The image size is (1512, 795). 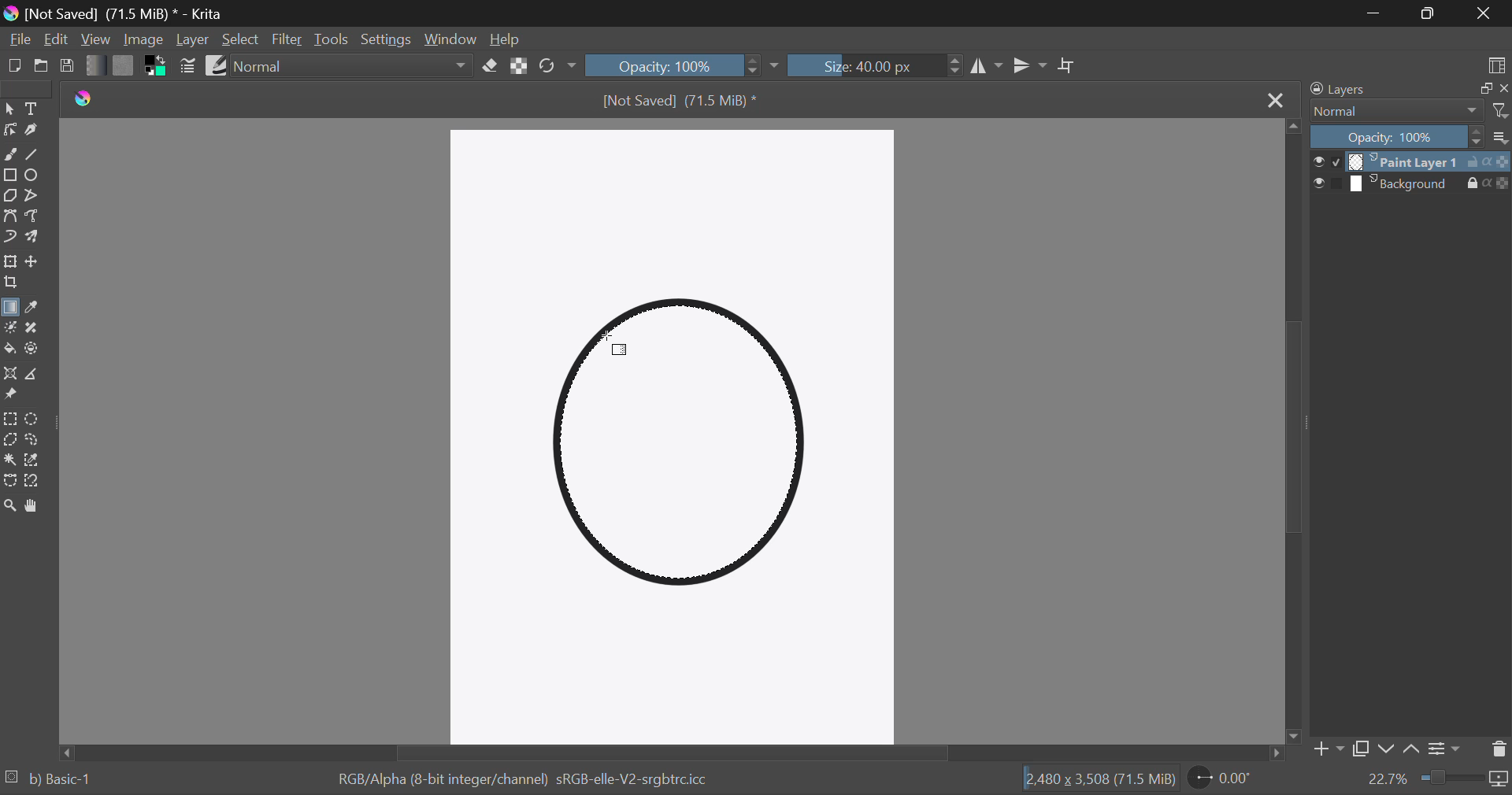 What do you see at coordinates (1291, 434) in the screenshot?
I see `Scroll Bar` at bounding box center [1291, 434].